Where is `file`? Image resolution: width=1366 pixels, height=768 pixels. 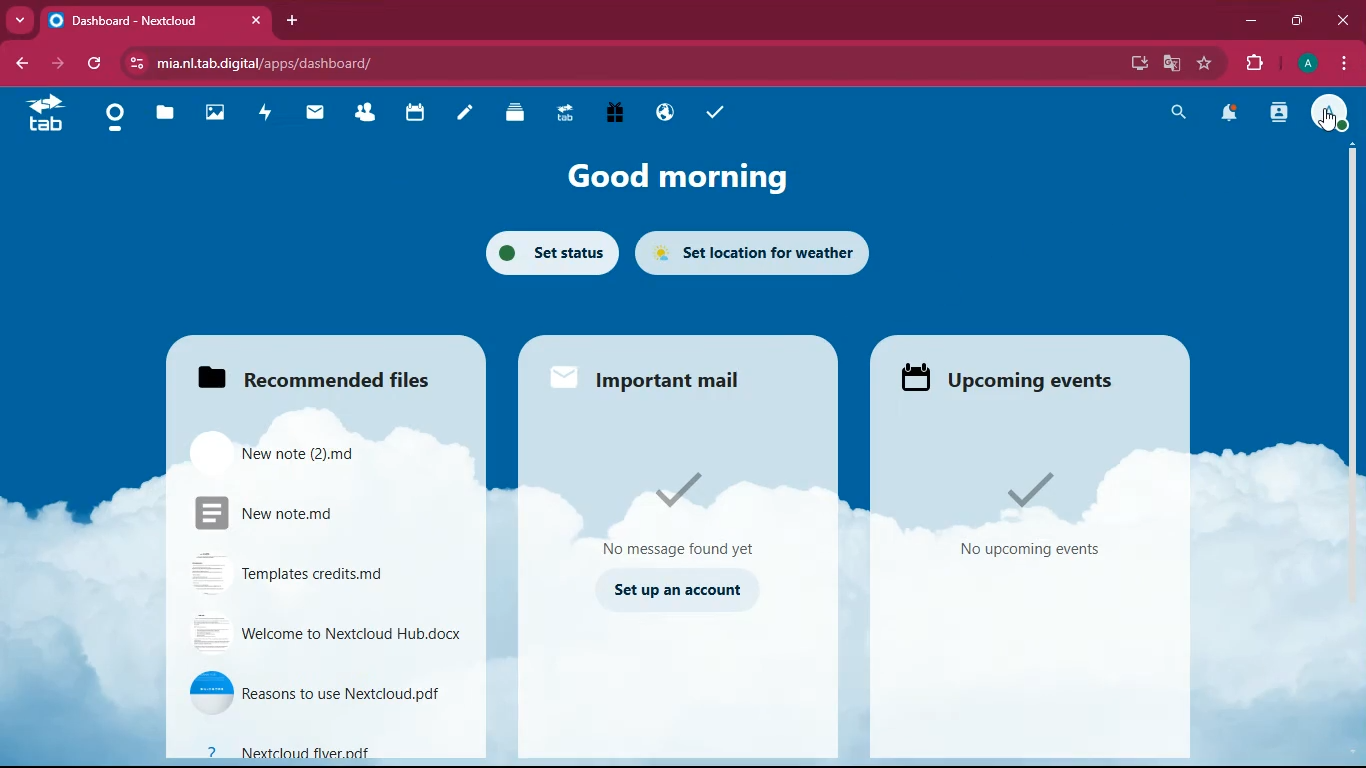 file is located at coordinates (307, 515).